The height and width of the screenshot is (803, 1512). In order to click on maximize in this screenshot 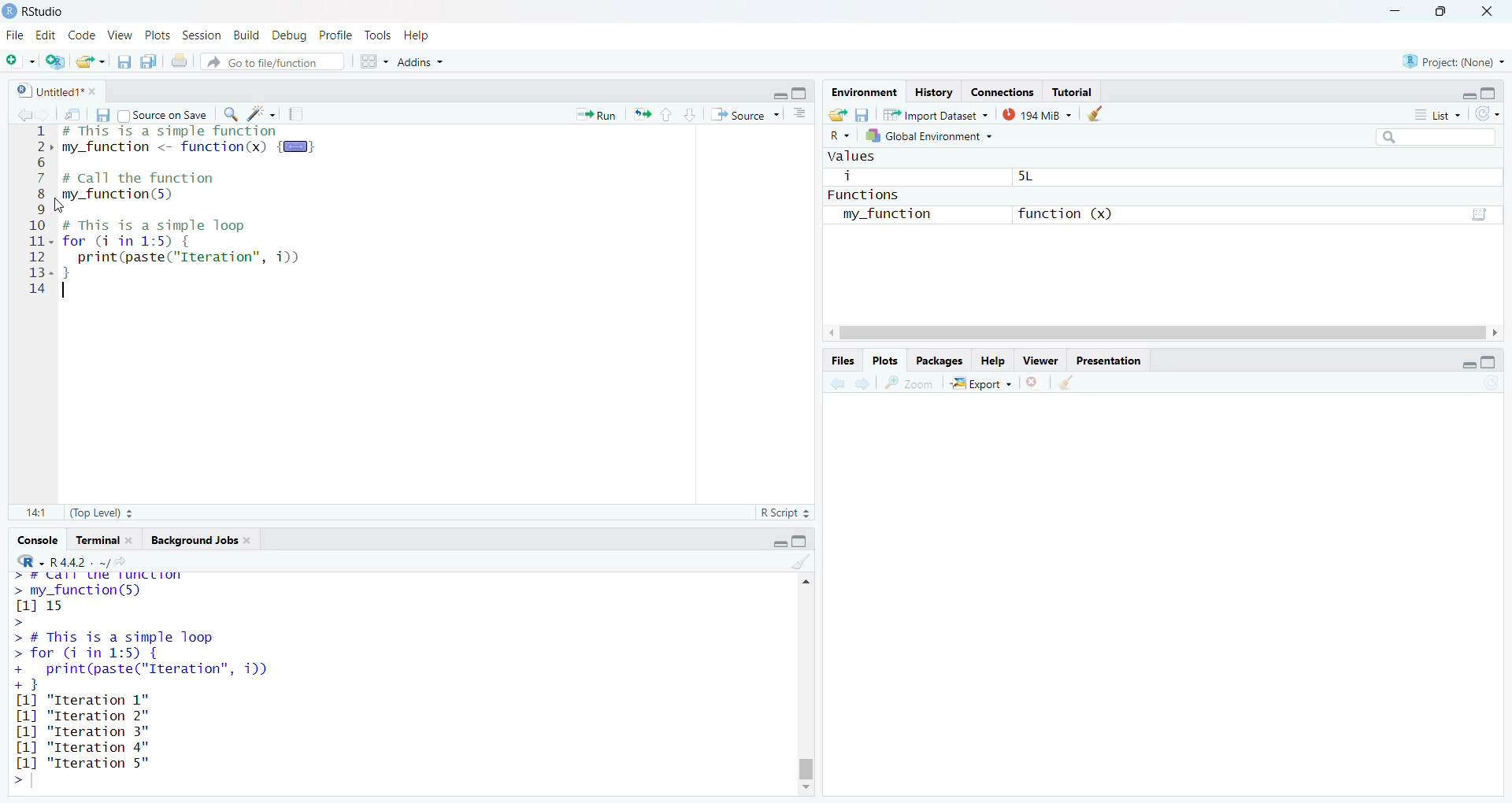, I will do `click(805, 93)`.